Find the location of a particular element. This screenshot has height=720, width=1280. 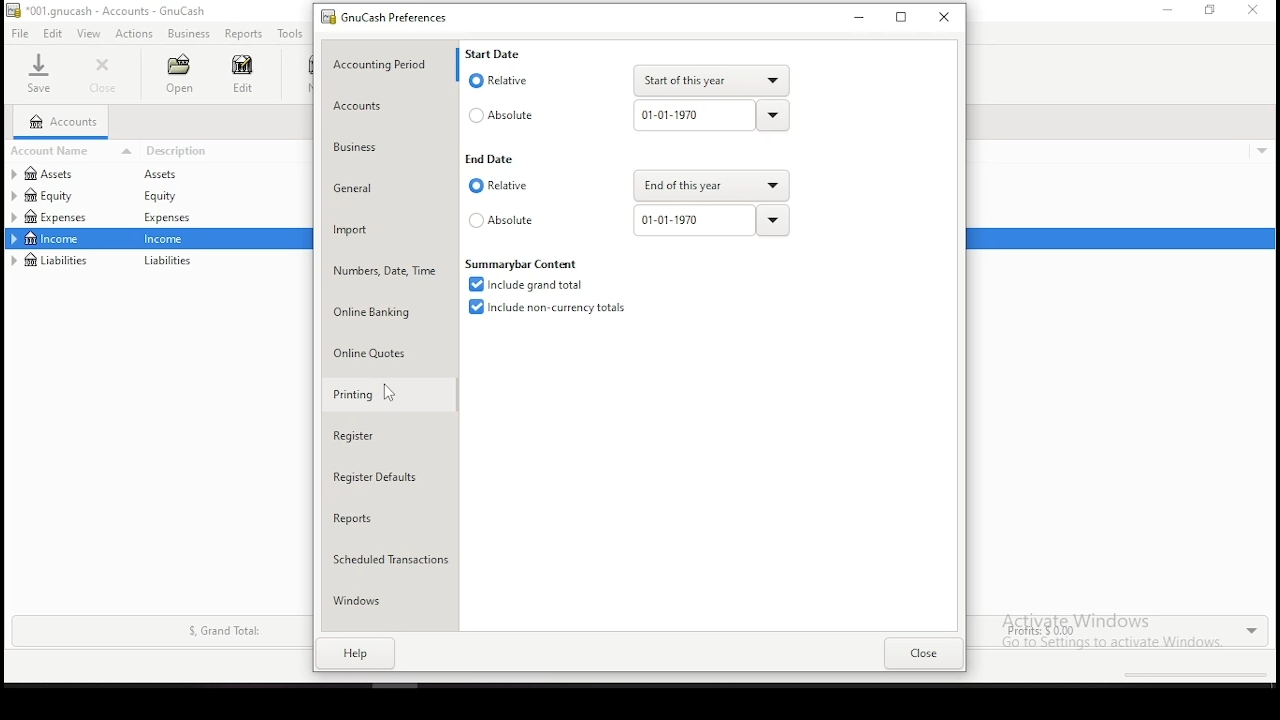

close is located at coordinates (105, 75).